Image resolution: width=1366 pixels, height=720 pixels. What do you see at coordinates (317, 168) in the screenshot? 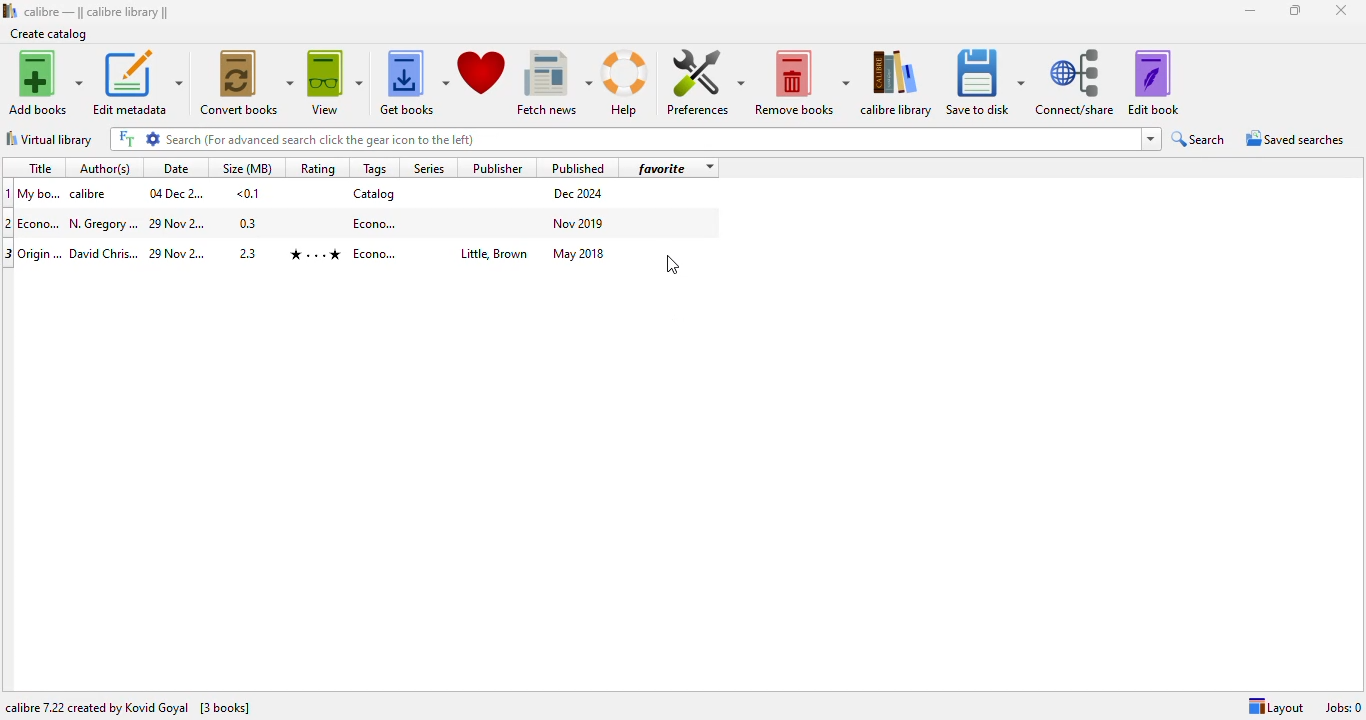
I see `rating` at bounding box center [317, 168].